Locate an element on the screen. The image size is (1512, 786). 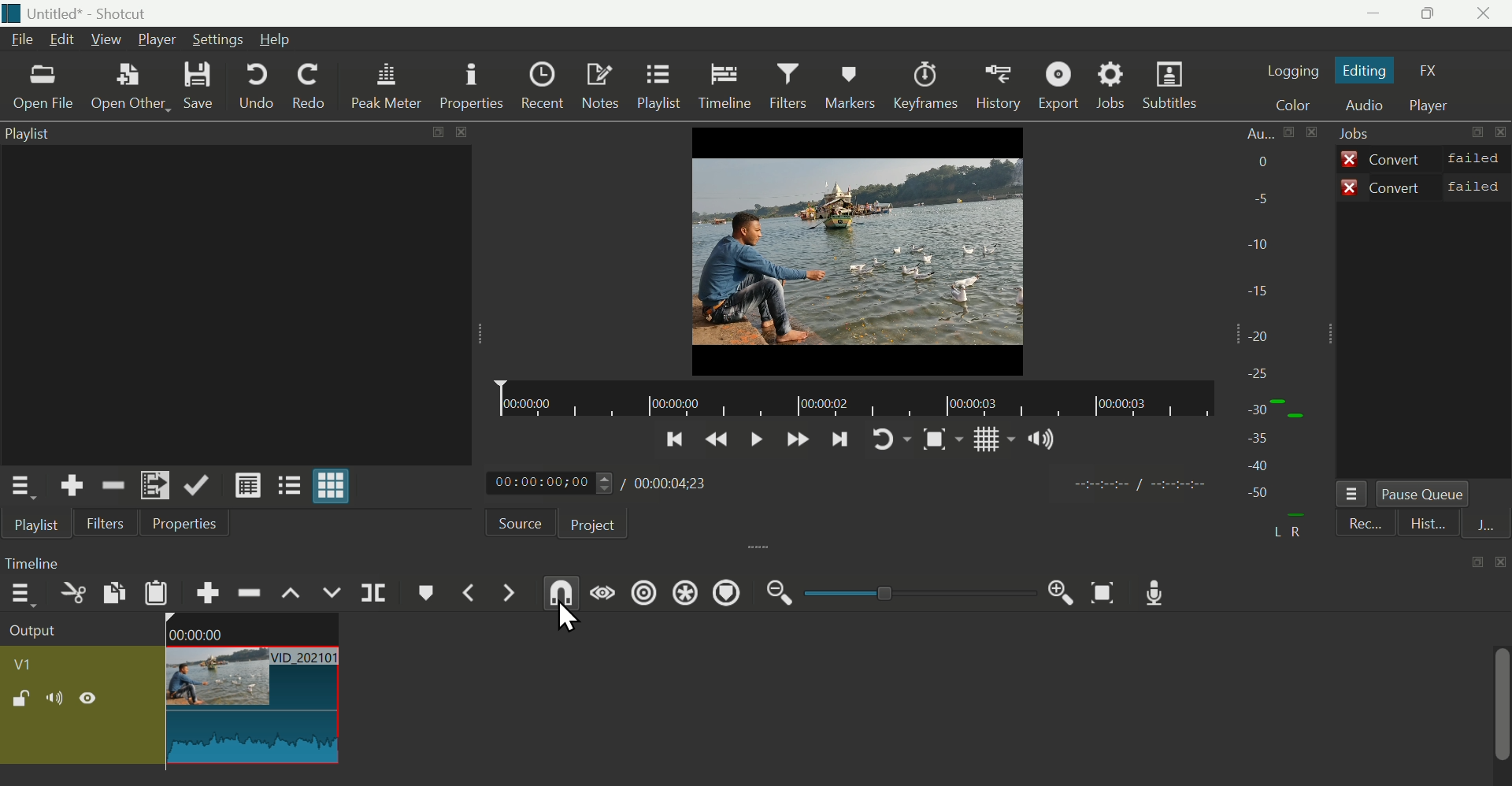
Snap is located at coordinates (556, 595).